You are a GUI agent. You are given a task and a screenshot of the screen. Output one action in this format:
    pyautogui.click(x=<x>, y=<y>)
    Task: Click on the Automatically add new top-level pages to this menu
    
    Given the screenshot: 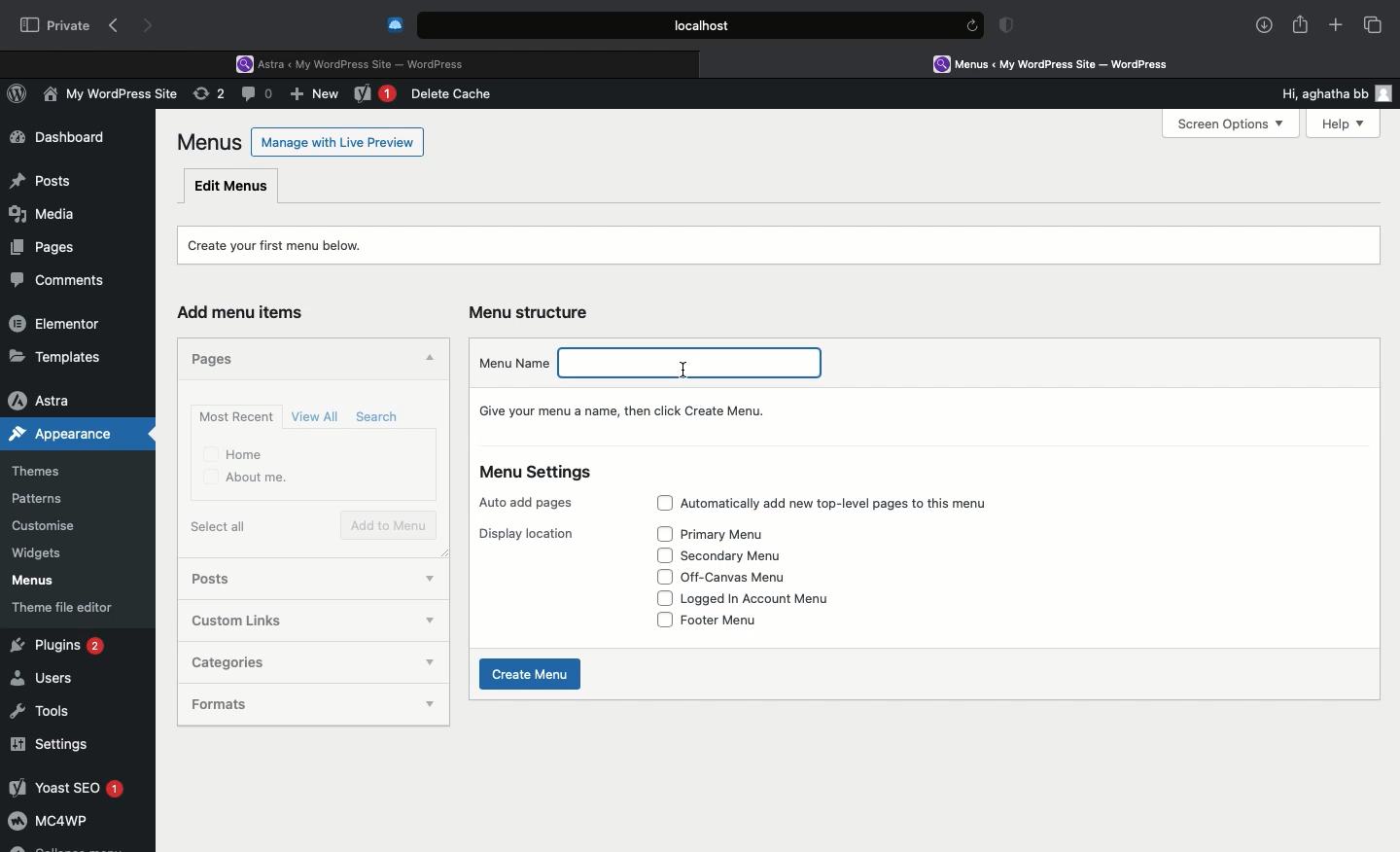 What is the action you would take?
    pyautogui.click(x=857, y=503)
    